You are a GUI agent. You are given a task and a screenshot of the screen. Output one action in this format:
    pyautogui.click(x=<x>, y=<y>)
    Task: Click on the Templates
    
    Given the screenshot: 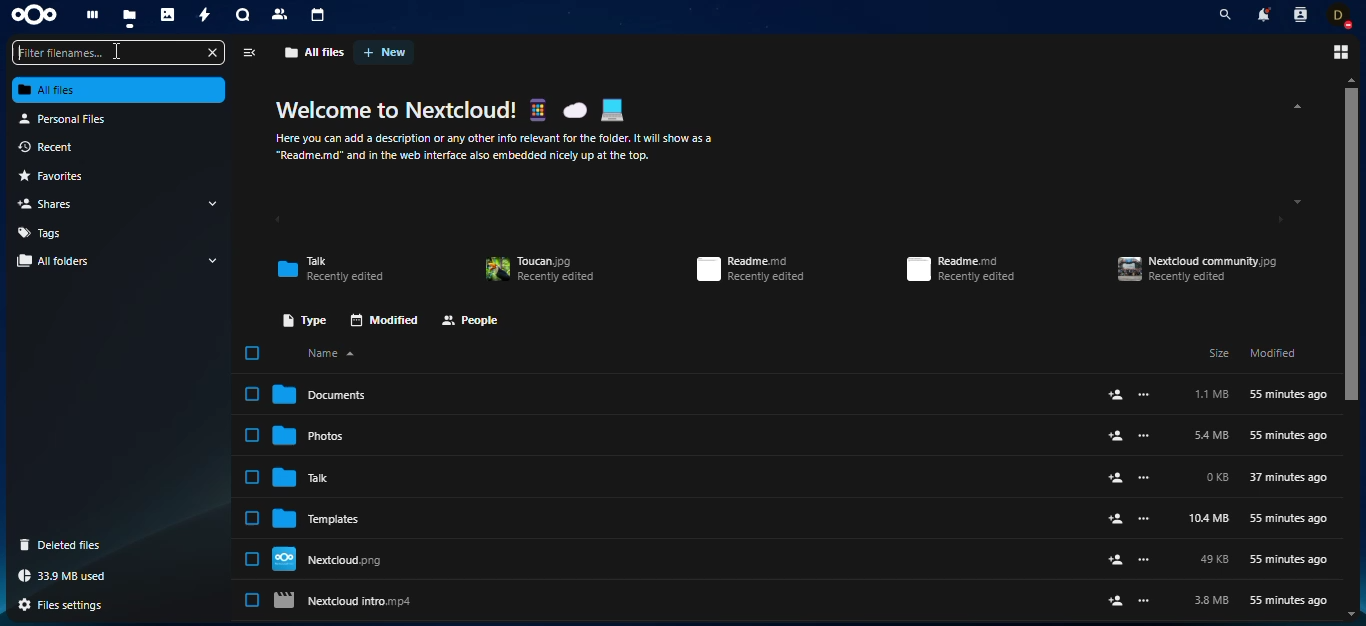 What is the action you would take?
    pyautogui.click(x=683, y=517)
    